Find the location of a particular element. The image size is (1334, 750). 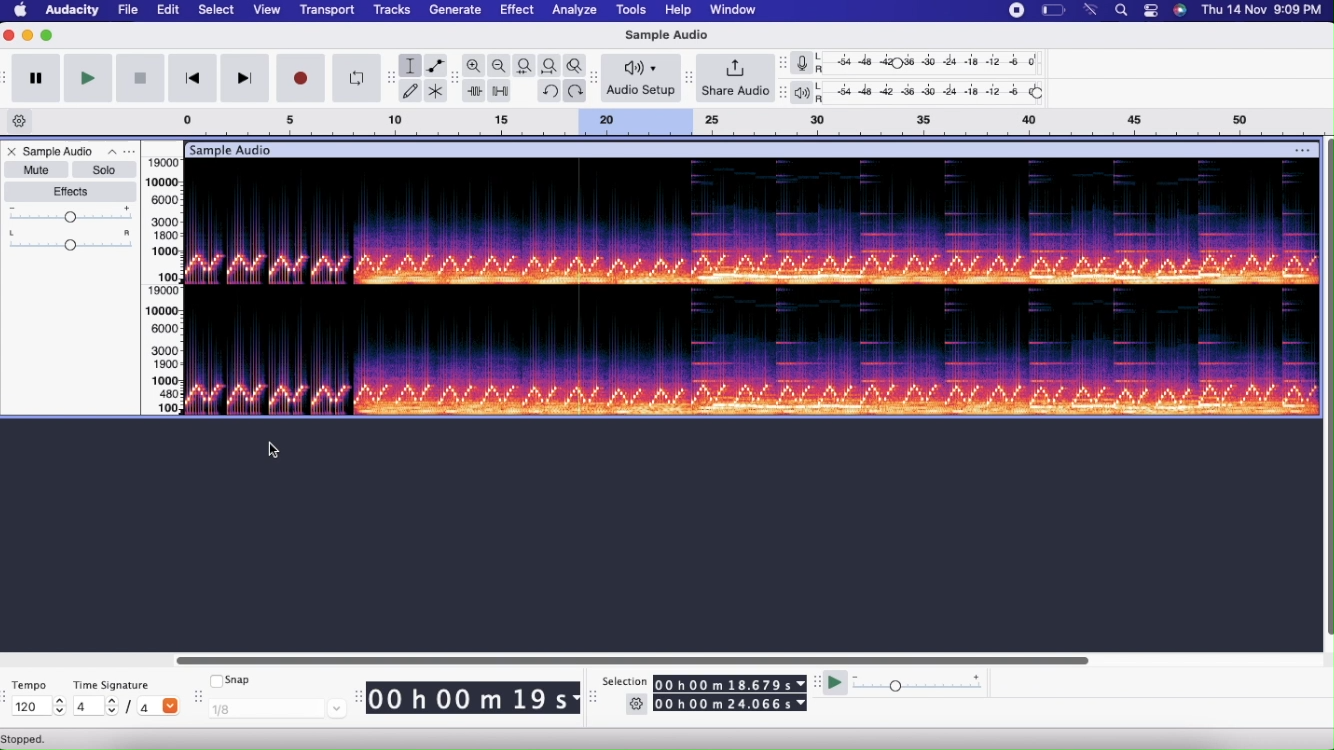

Window is located at coordinates (731, 11).